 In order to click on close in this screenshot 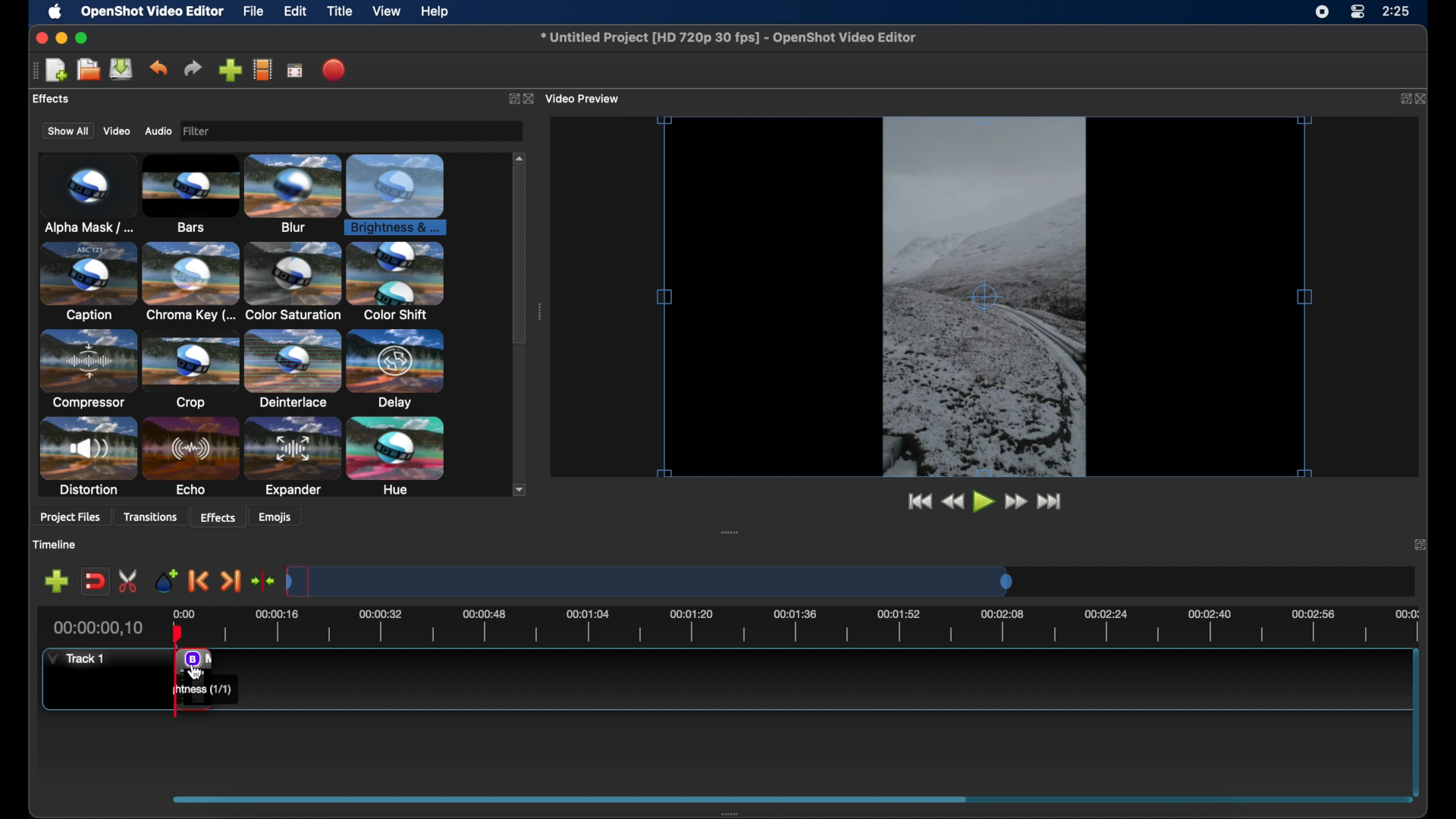, I will do `click(1420, 543)`.